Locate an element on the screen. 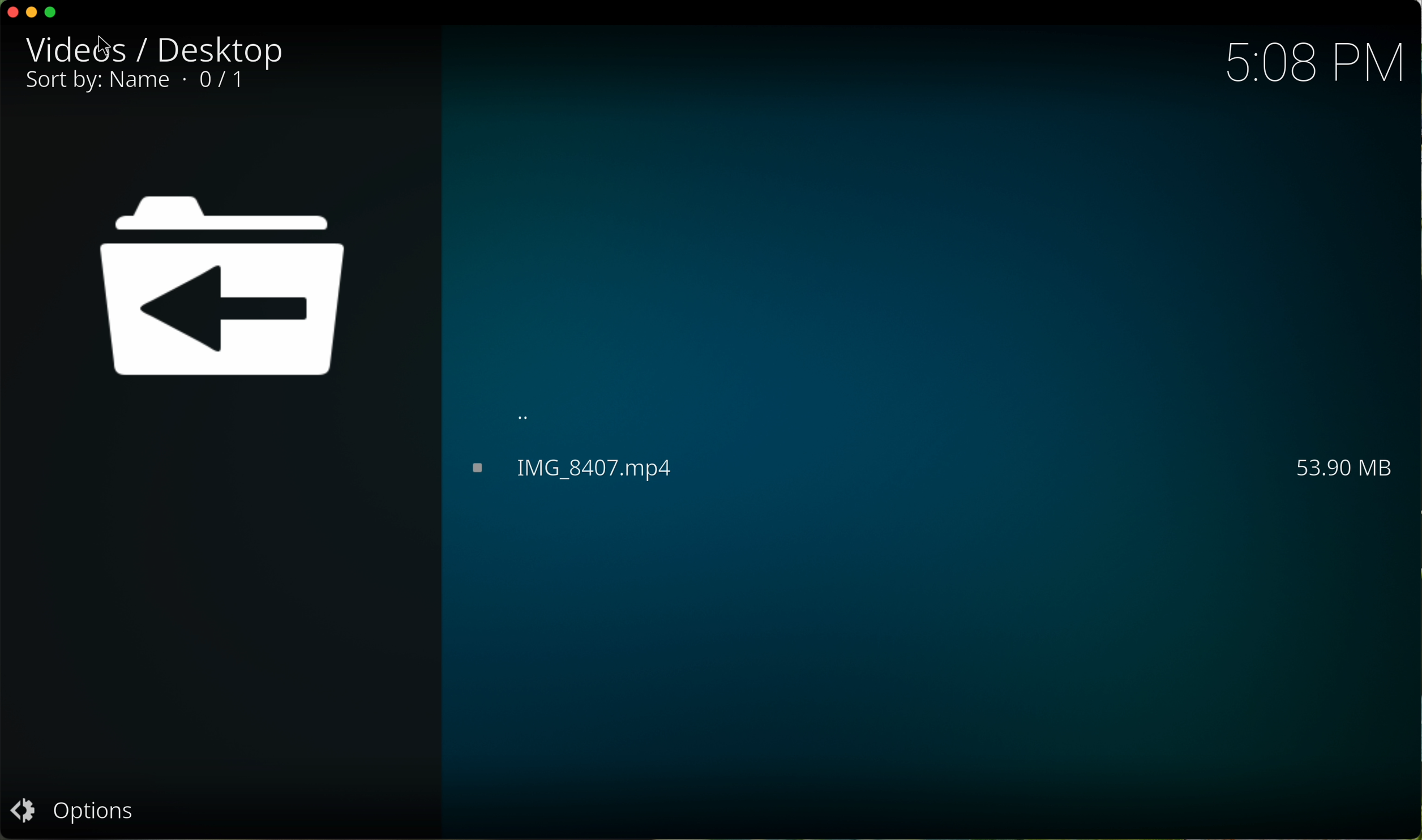  sort by: name 1/4 is located at coordinates (143, 83).